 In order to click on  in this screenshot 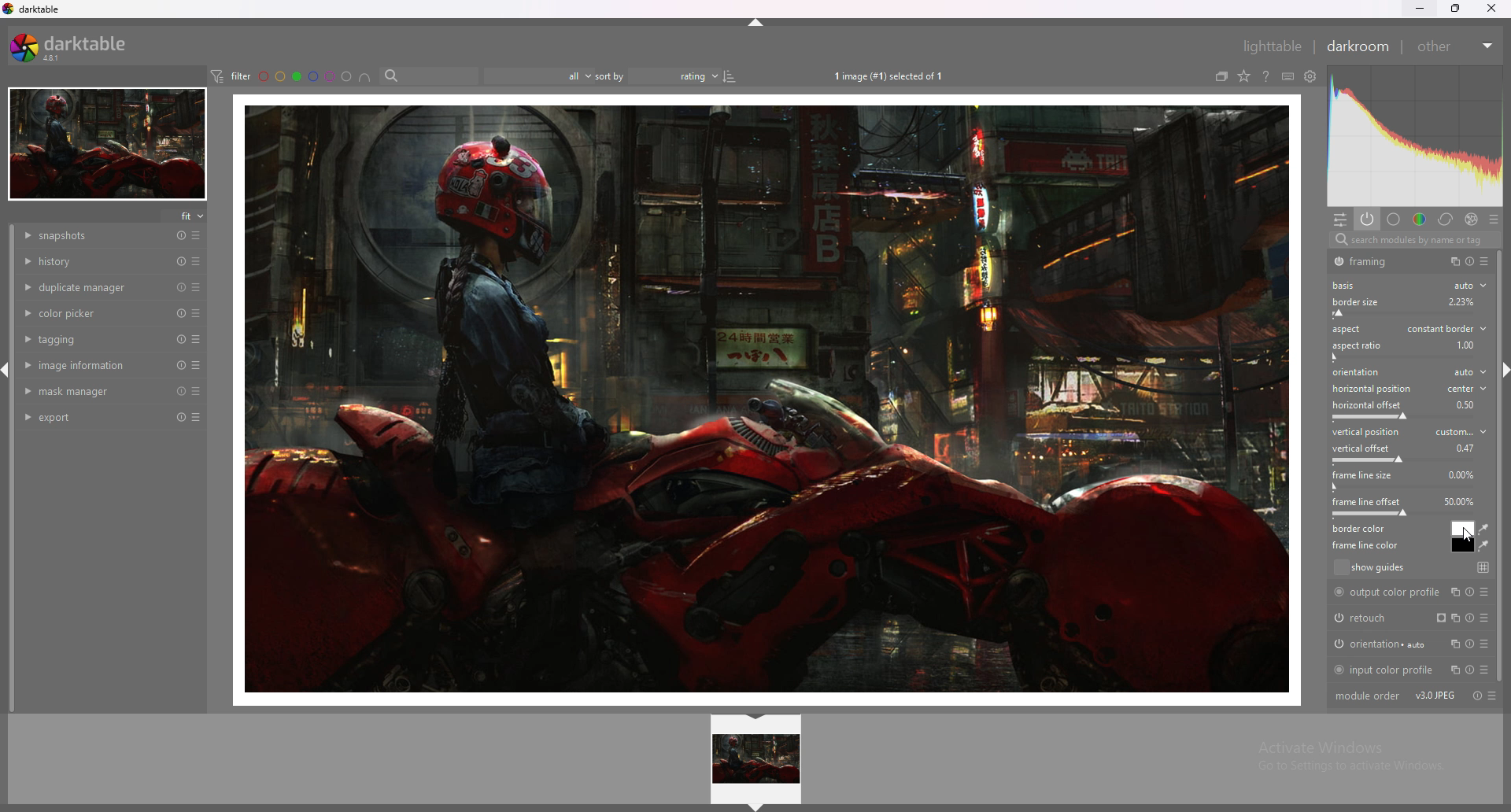, I will do `click(1465, 301)`.